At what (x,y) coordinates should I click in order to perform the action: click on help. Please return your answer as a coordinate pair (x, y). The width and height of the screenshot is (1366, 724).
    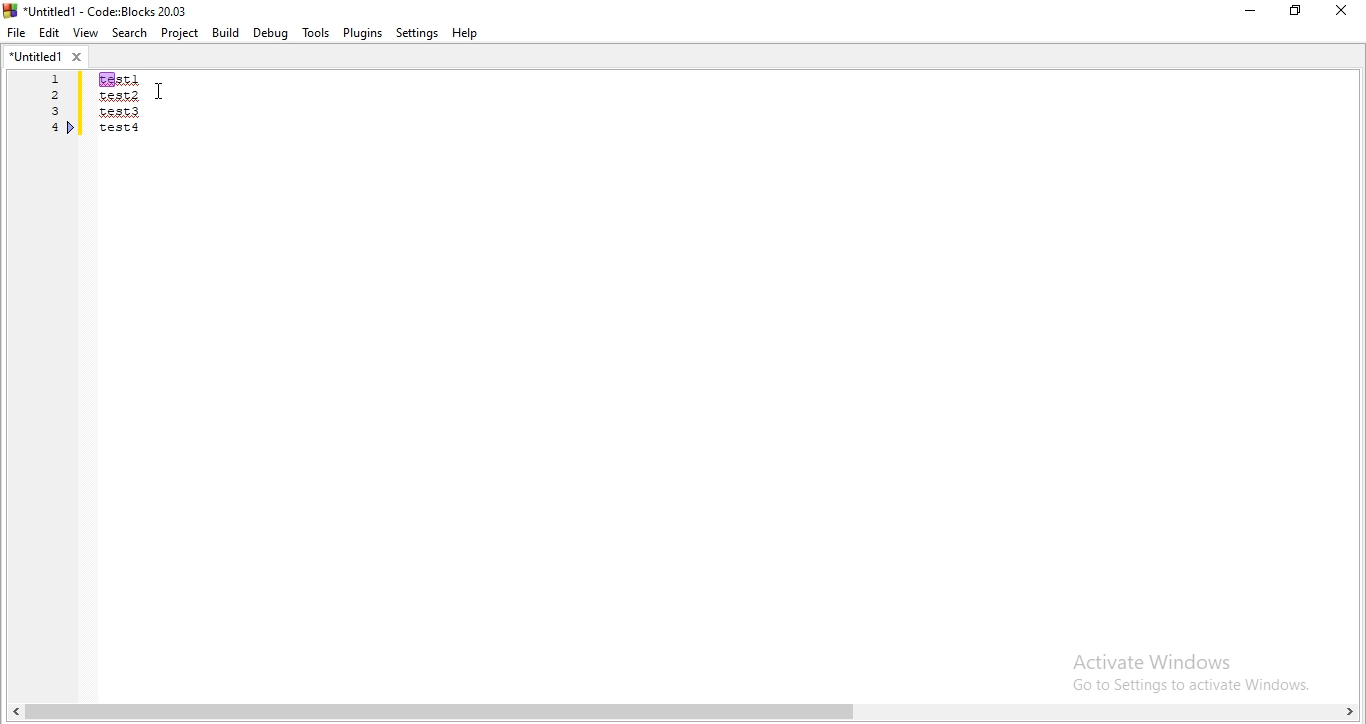
    Looking at the image, I should click on (467, 33).